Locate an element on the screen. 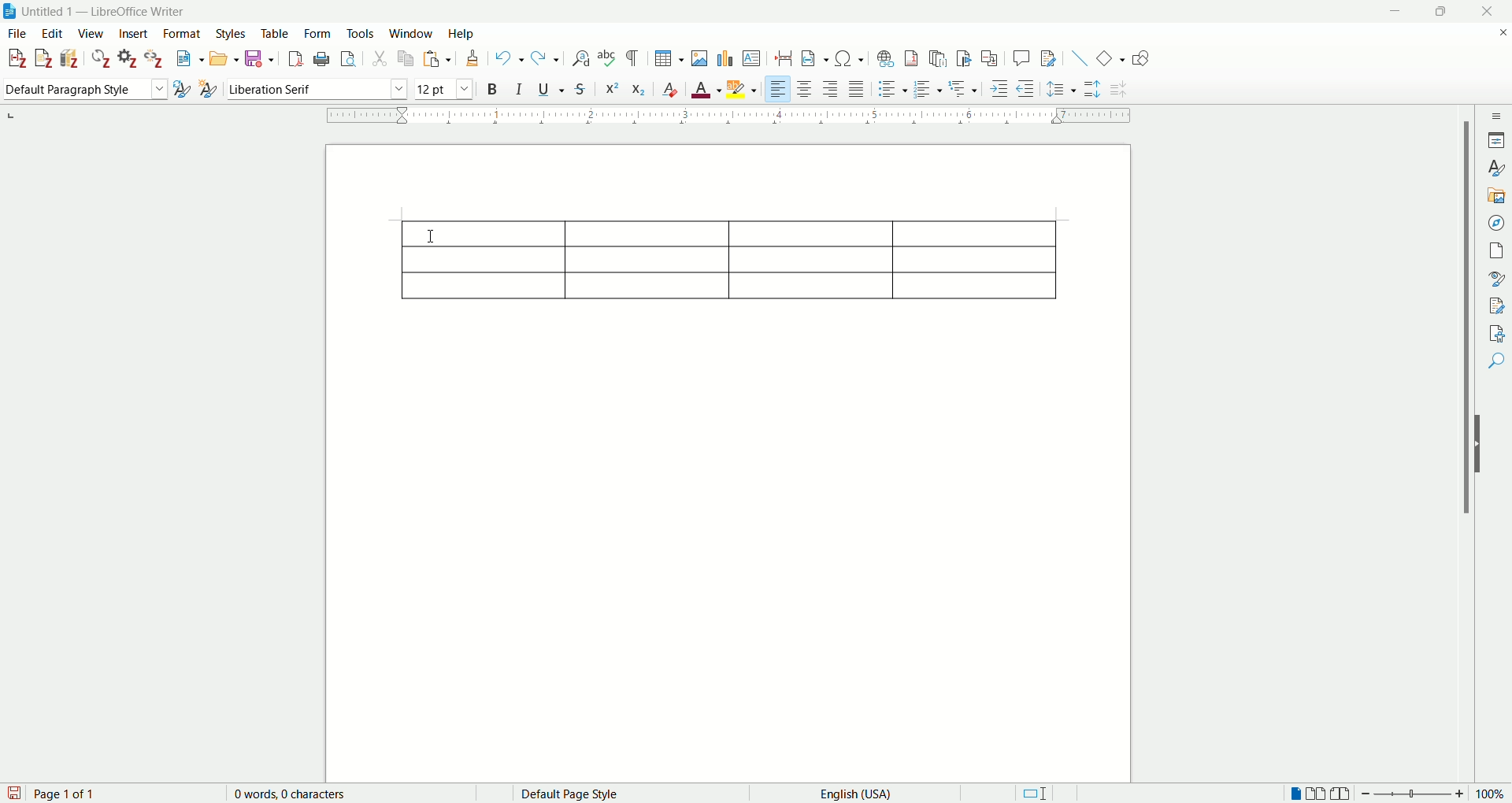 The image size is (1512, 803). decrease indent is located at coordinates (1027, 91).